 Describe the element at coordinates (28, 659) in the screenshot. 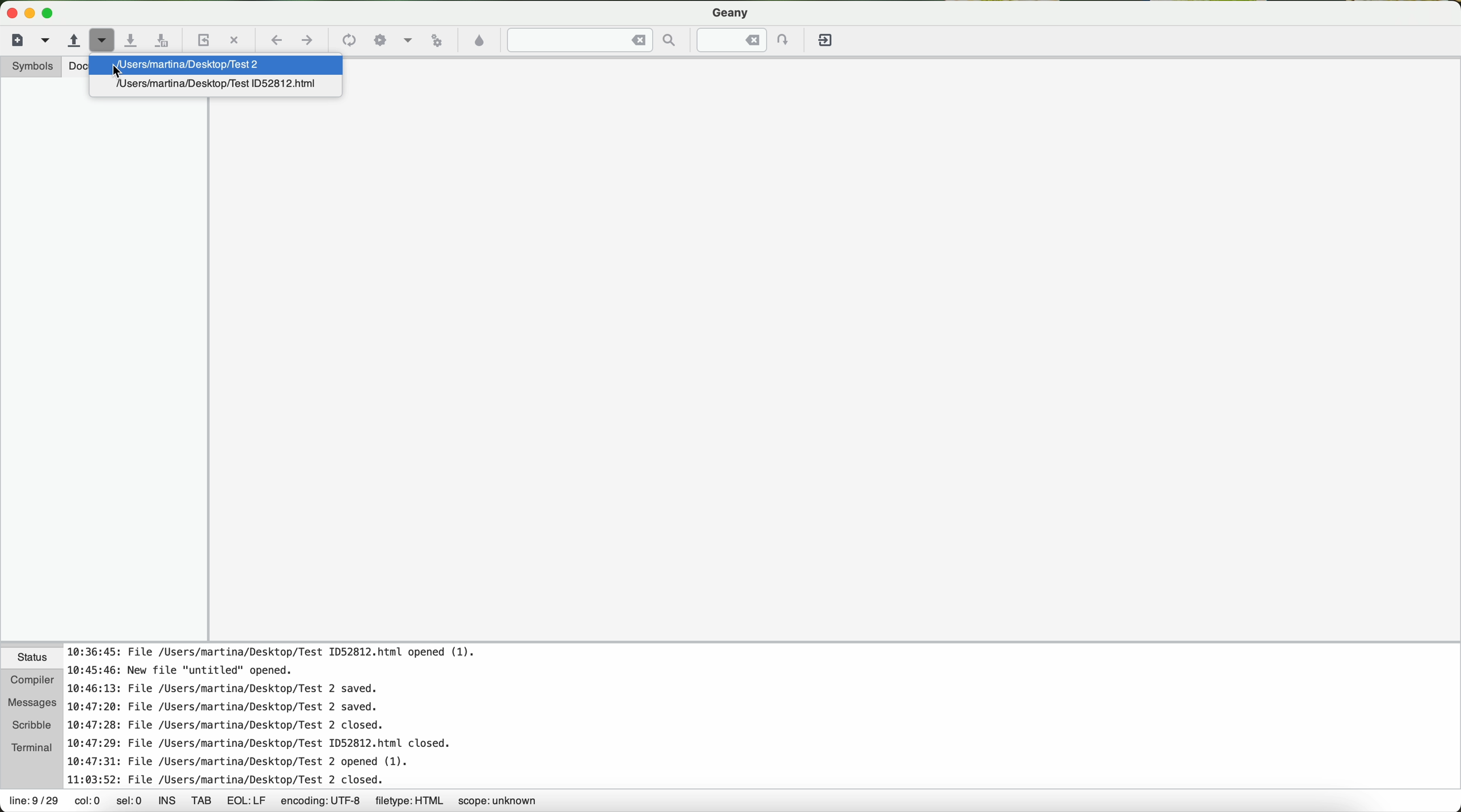

I see `status` at that location.